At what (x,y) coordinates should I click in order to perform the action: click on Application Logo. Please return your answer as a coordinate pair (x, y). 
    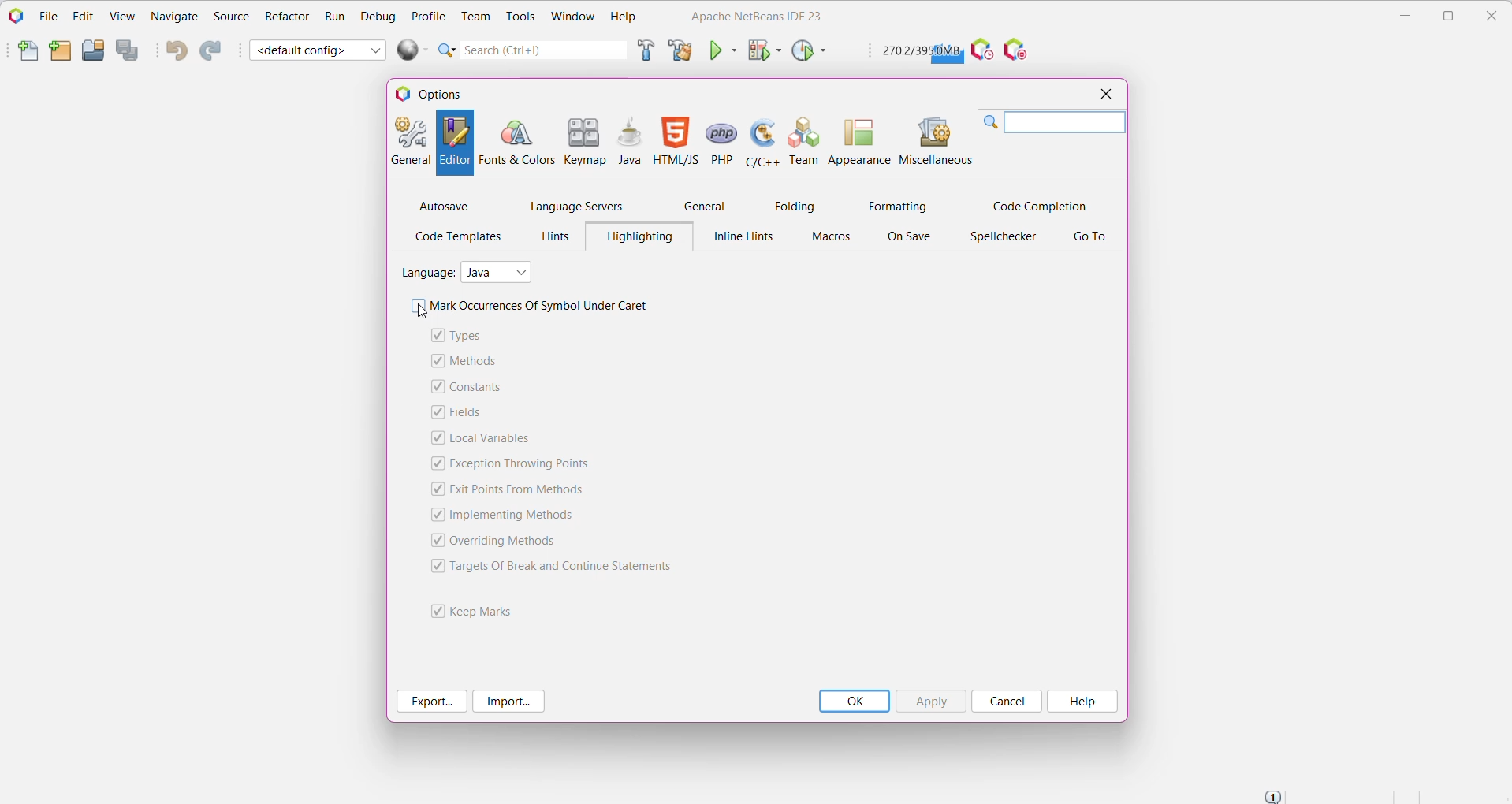
    Looking at the image, I should click on (14, 17).